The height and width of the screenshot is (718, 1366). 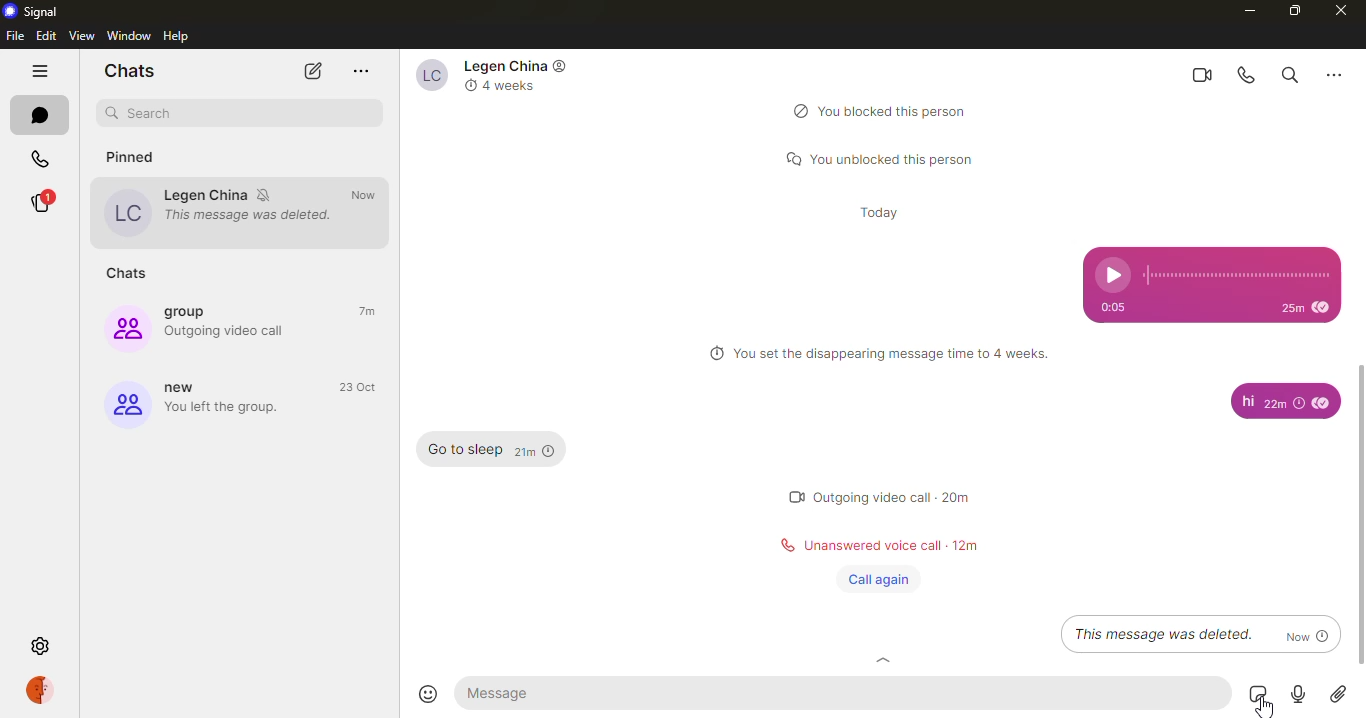 What do you see at coordinates (892, 547) in the screenshot?
I see `Unanswered voice call 12m` at bounding box center [892, 547].